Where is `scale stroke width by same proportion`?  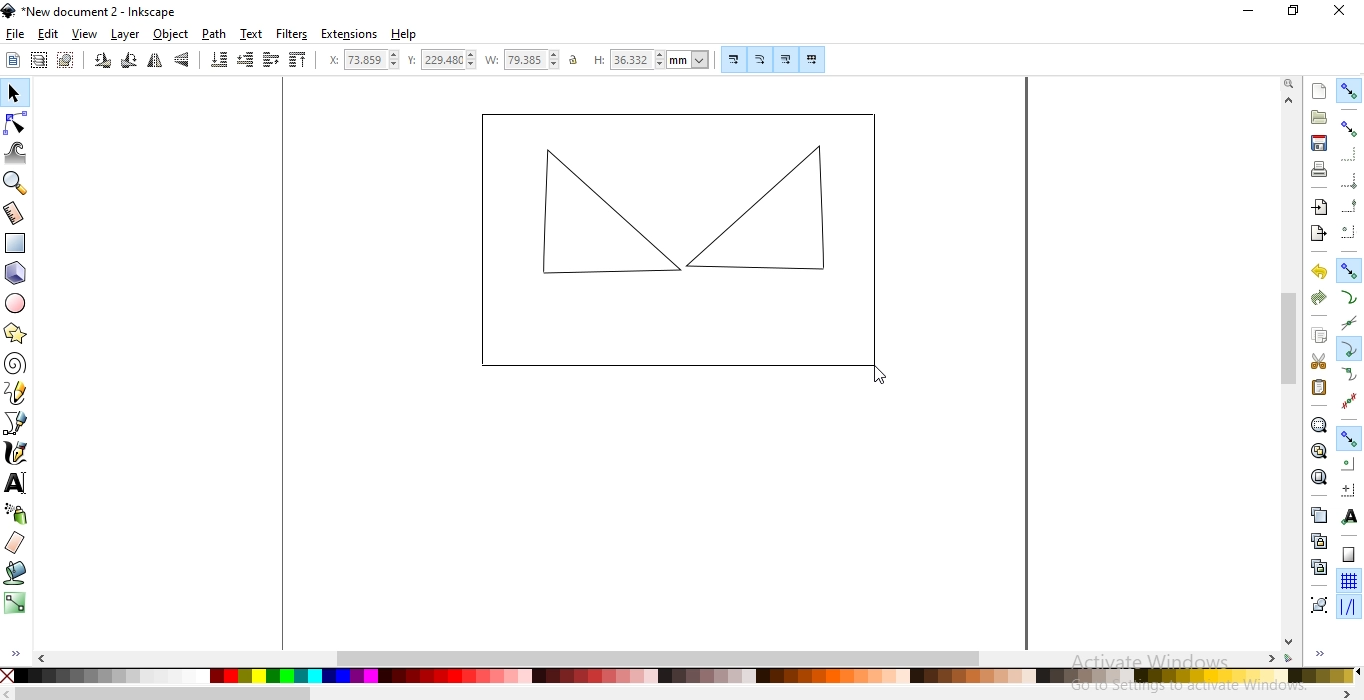
scale stroke width by same proportion is located at coordinates (734, 59).